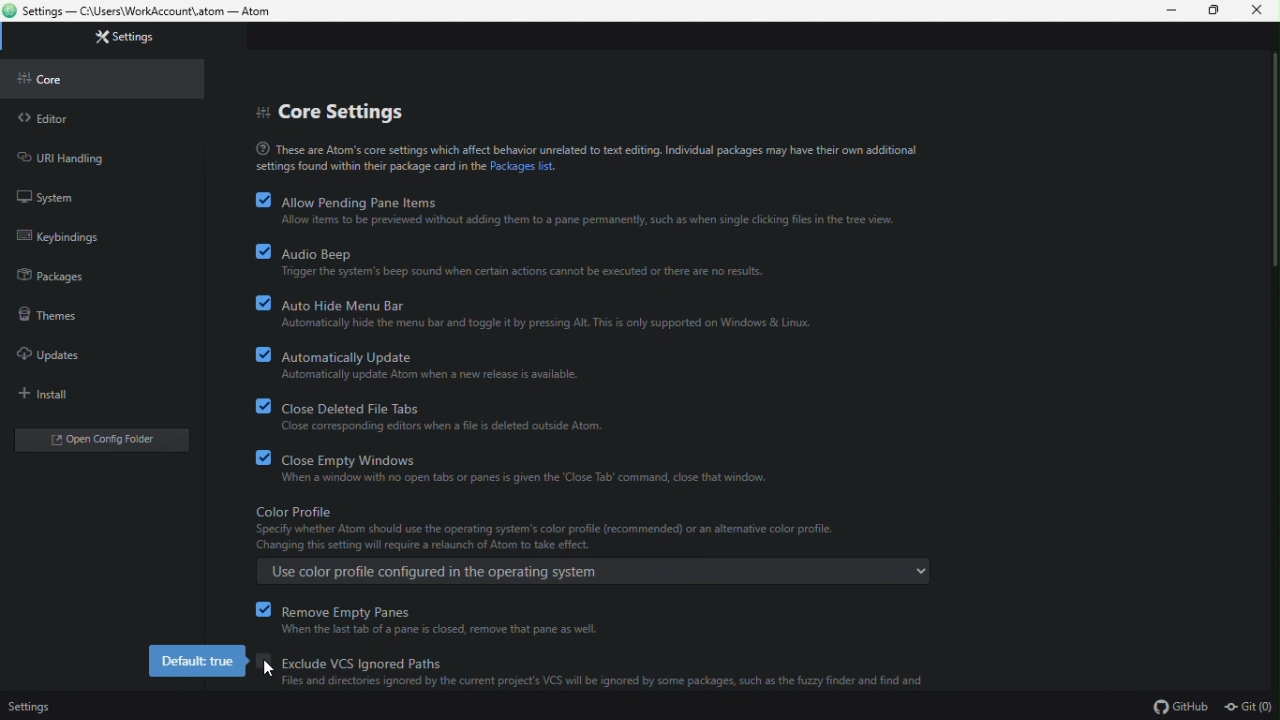 This screenshot has height=720, width=1280. Describe the element at coordinates (105, 77) in the screenshot. I see `Core` at that location.